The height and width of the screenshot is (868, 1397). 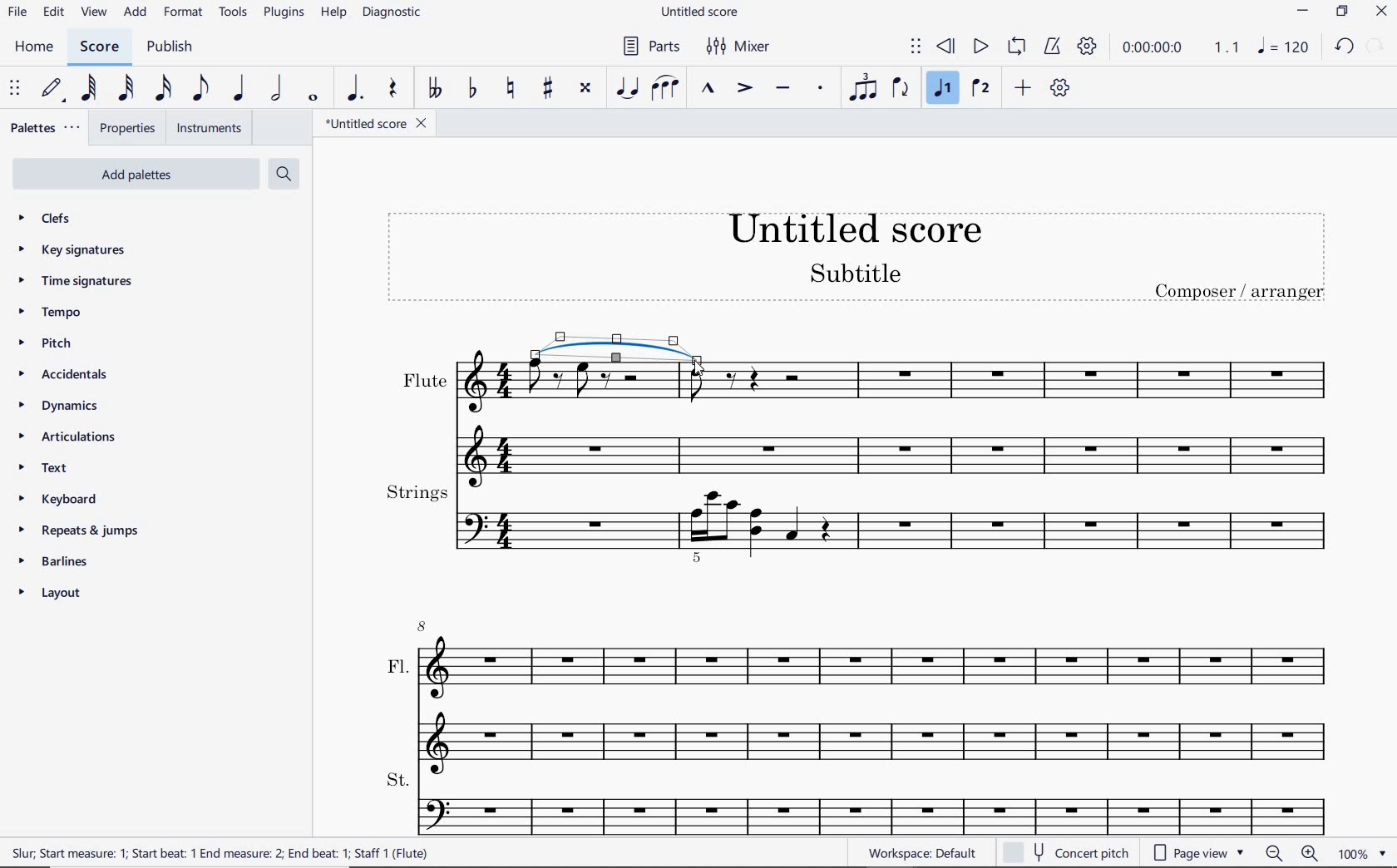 I want to click on add palettes, so click(x=137, y=173).